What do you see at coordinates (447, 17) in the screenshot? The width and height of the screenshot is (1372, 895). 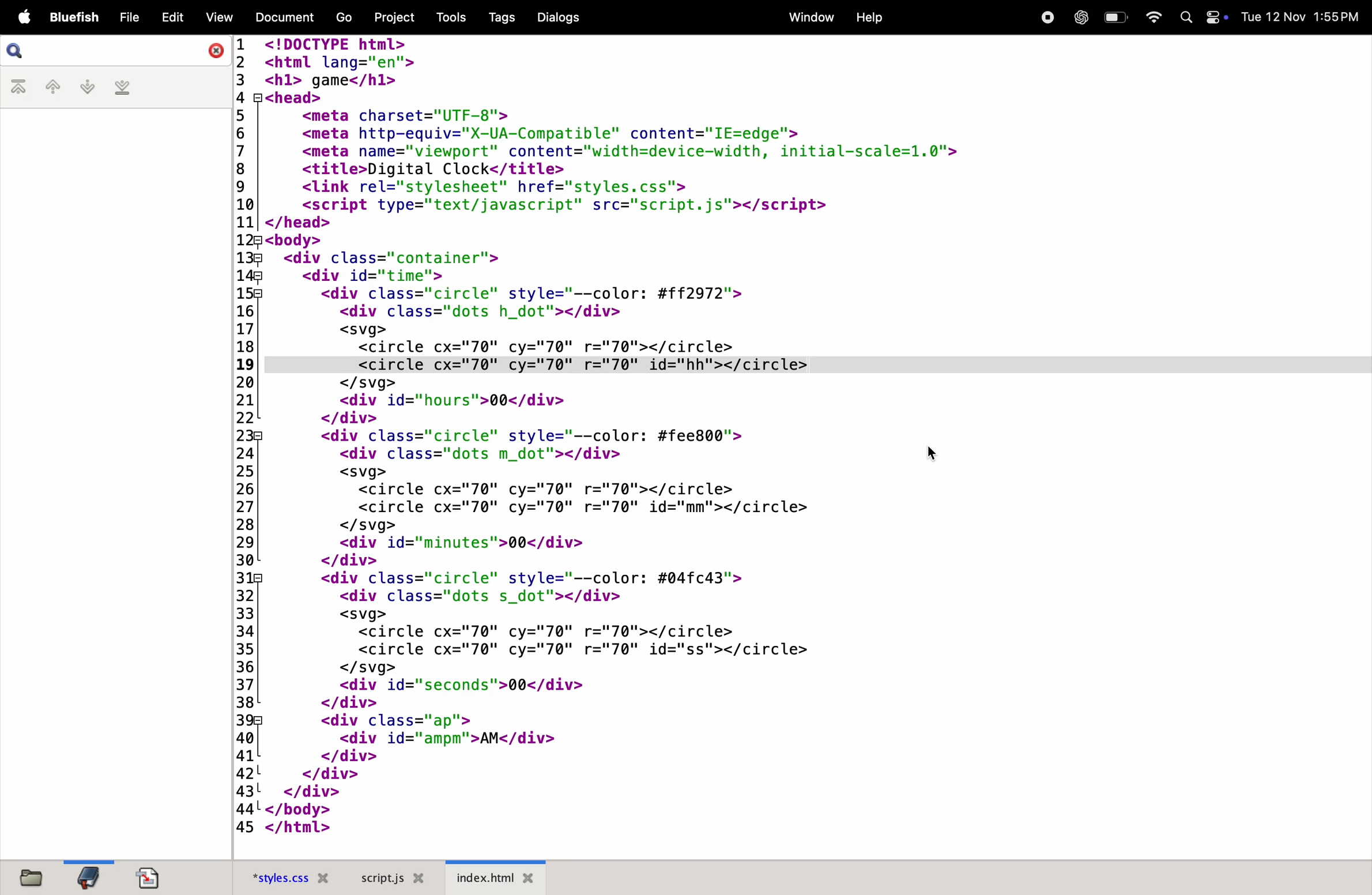 I see `tools` at bounding box center [447, 17].